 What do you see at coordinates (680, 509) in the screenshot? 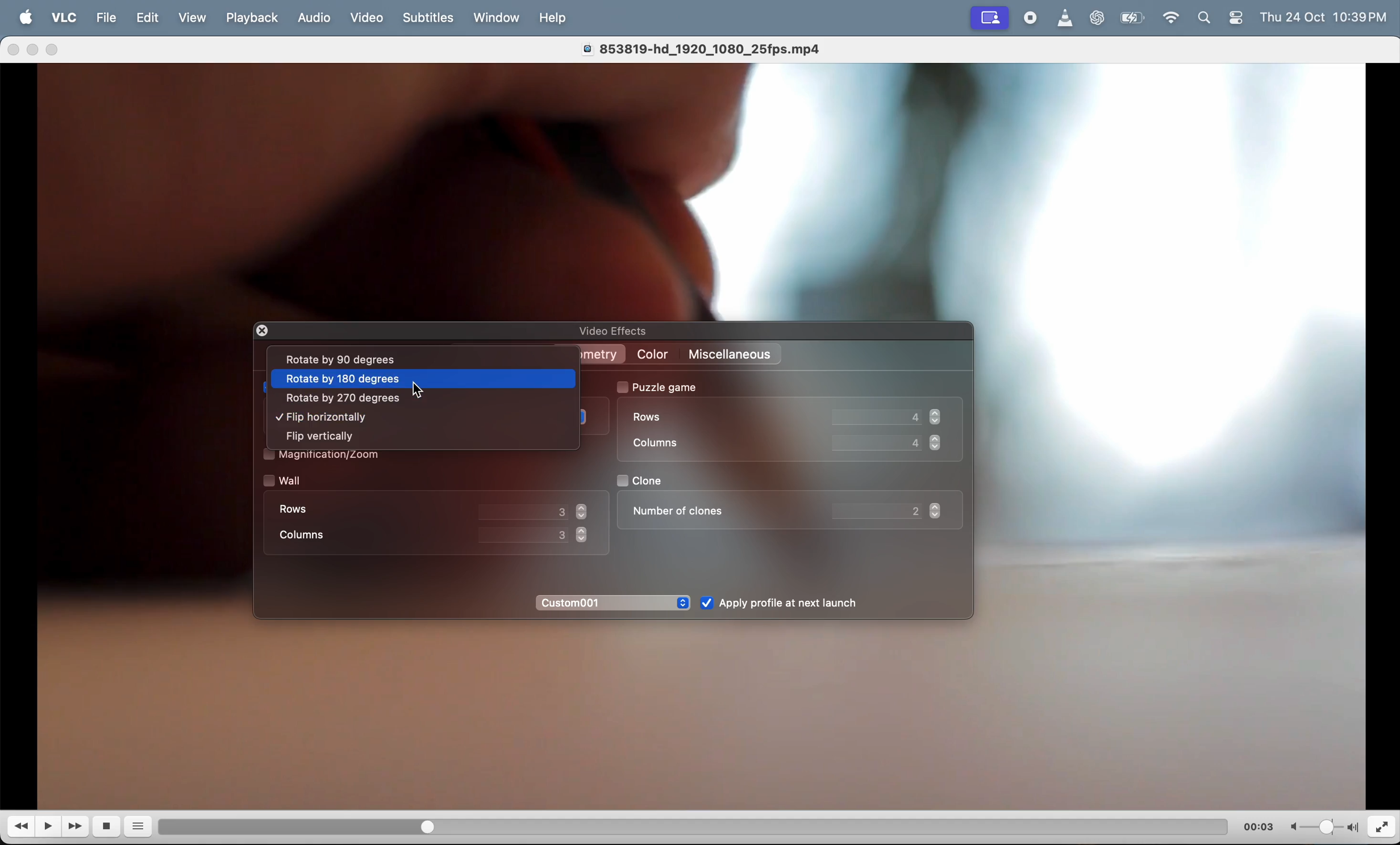
I see `number of clones` at bounding box center [680, 509].